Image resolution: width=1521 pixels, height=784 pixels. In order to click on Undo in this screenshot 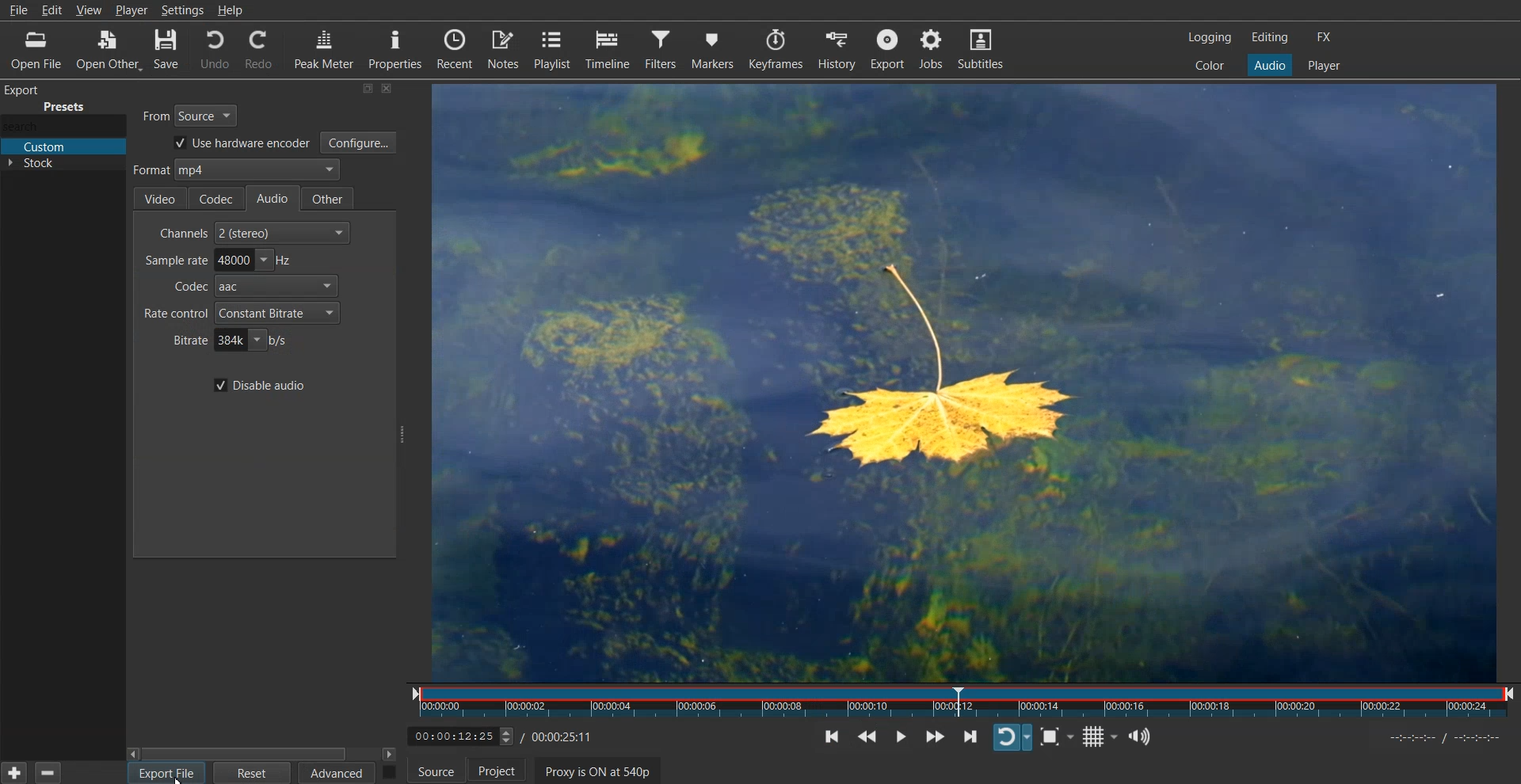, I will do `click(214, 50)`.